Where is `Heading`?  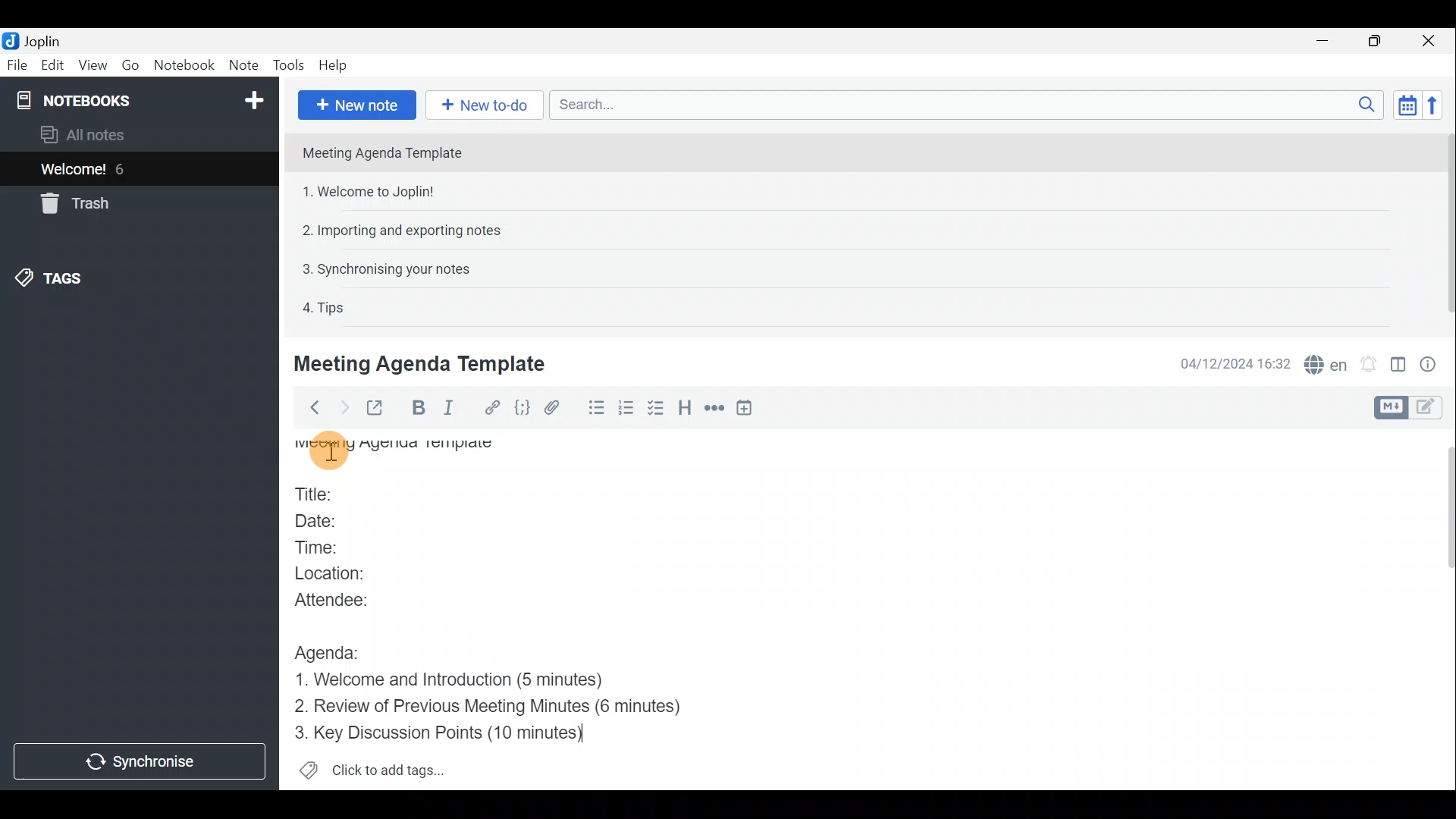
Heading is located at coordinates (685, 413).